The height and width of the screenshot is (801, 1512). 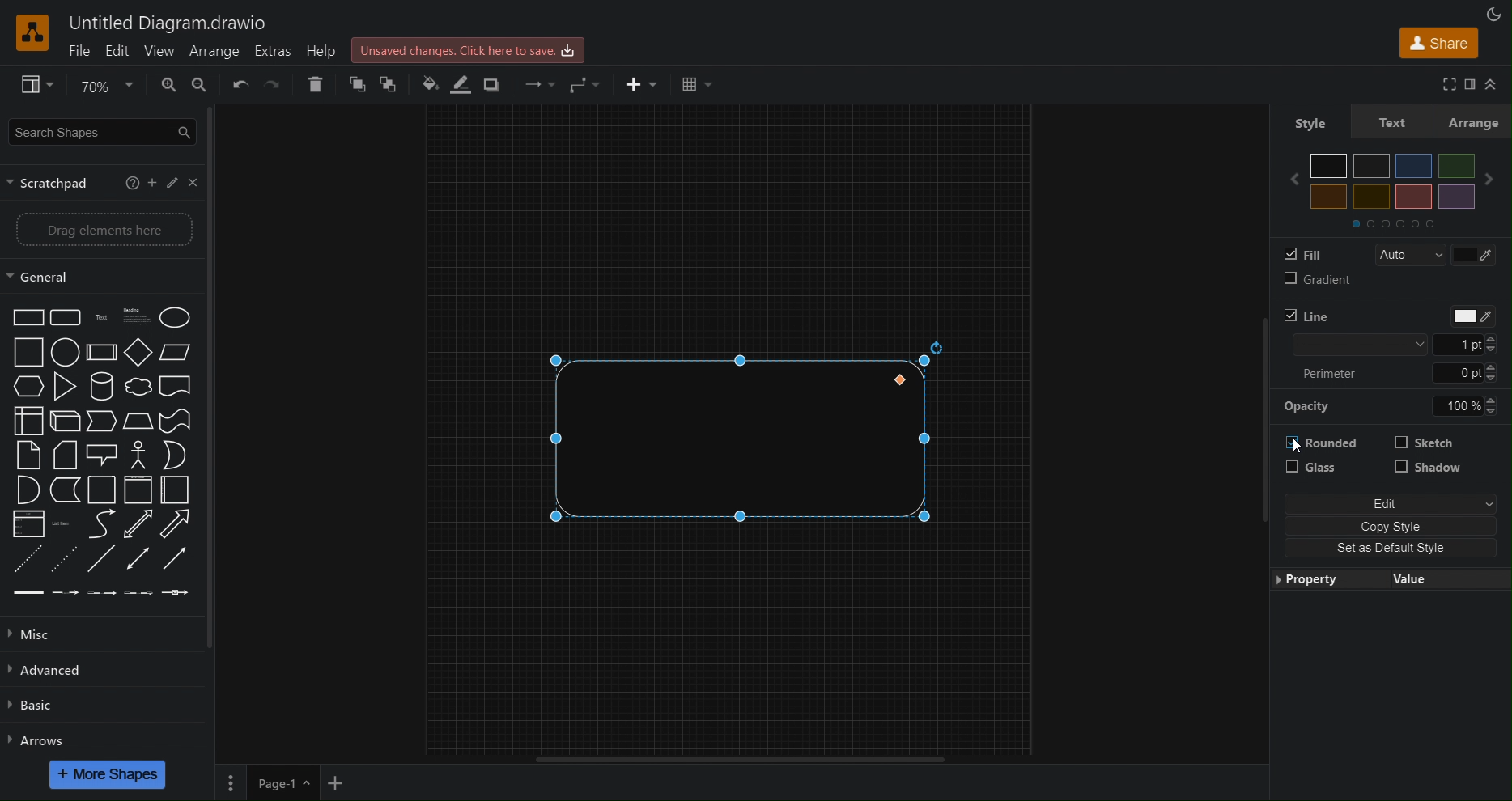 What do you see at coordinates (131, 183) in the screenshot?
I see `question` at bounding box center [131, 183].